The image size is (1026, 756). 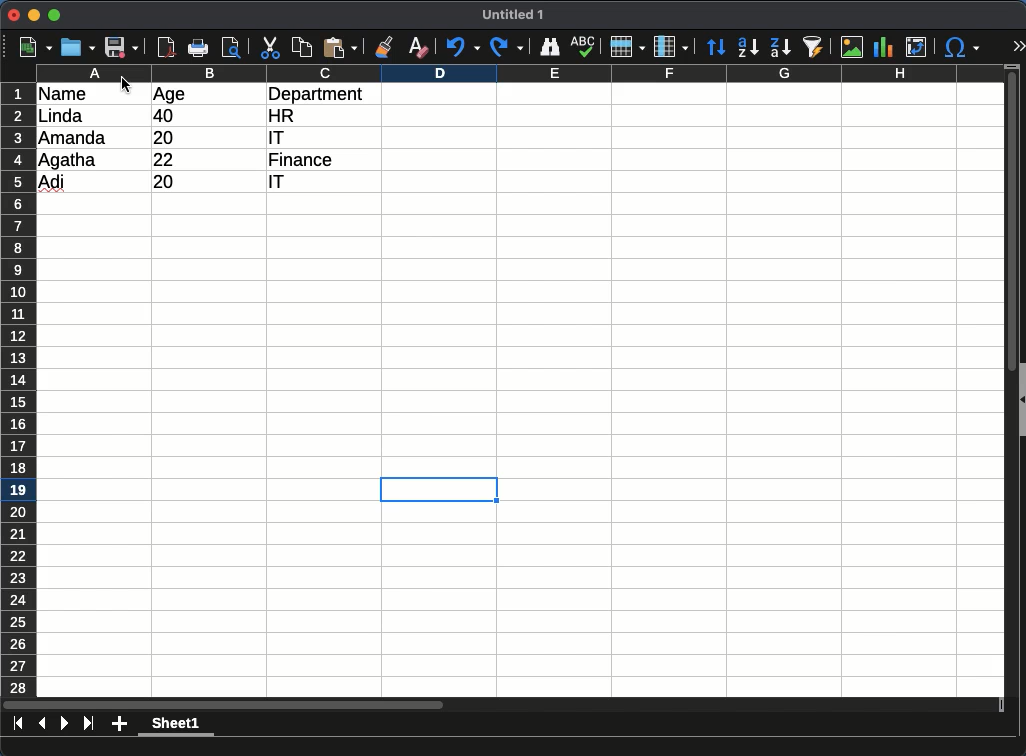 I want to click on adi, so click(x=53, y=183).